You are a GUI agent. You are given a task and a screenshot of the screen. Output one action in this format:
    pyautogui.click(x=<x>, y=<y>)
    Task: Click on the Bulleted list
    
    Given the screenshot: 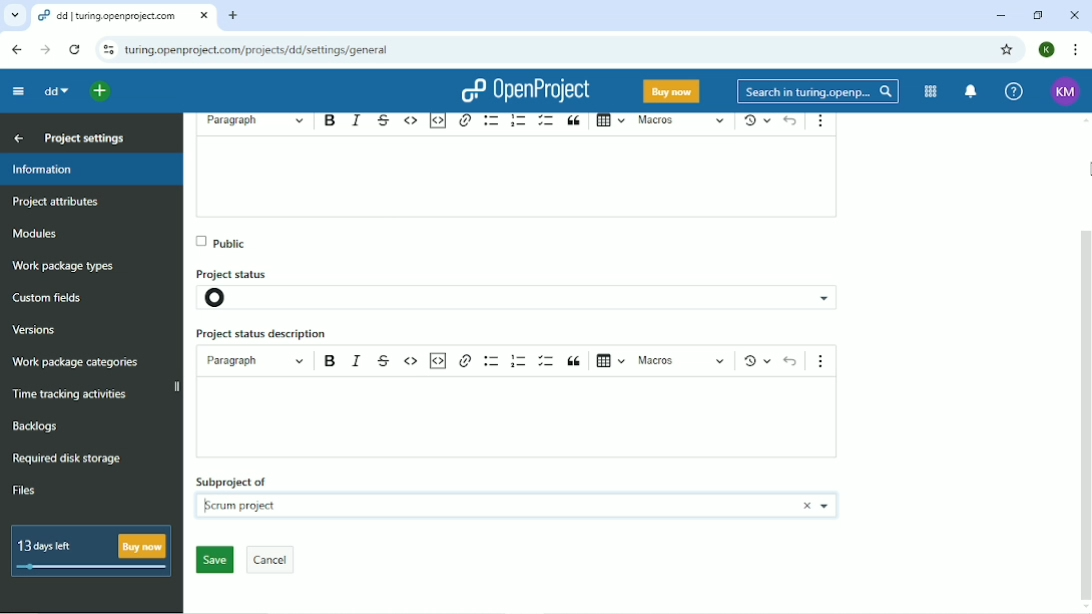 What is the action you would take?
    pyautogui.click(x=491, y=361)
    